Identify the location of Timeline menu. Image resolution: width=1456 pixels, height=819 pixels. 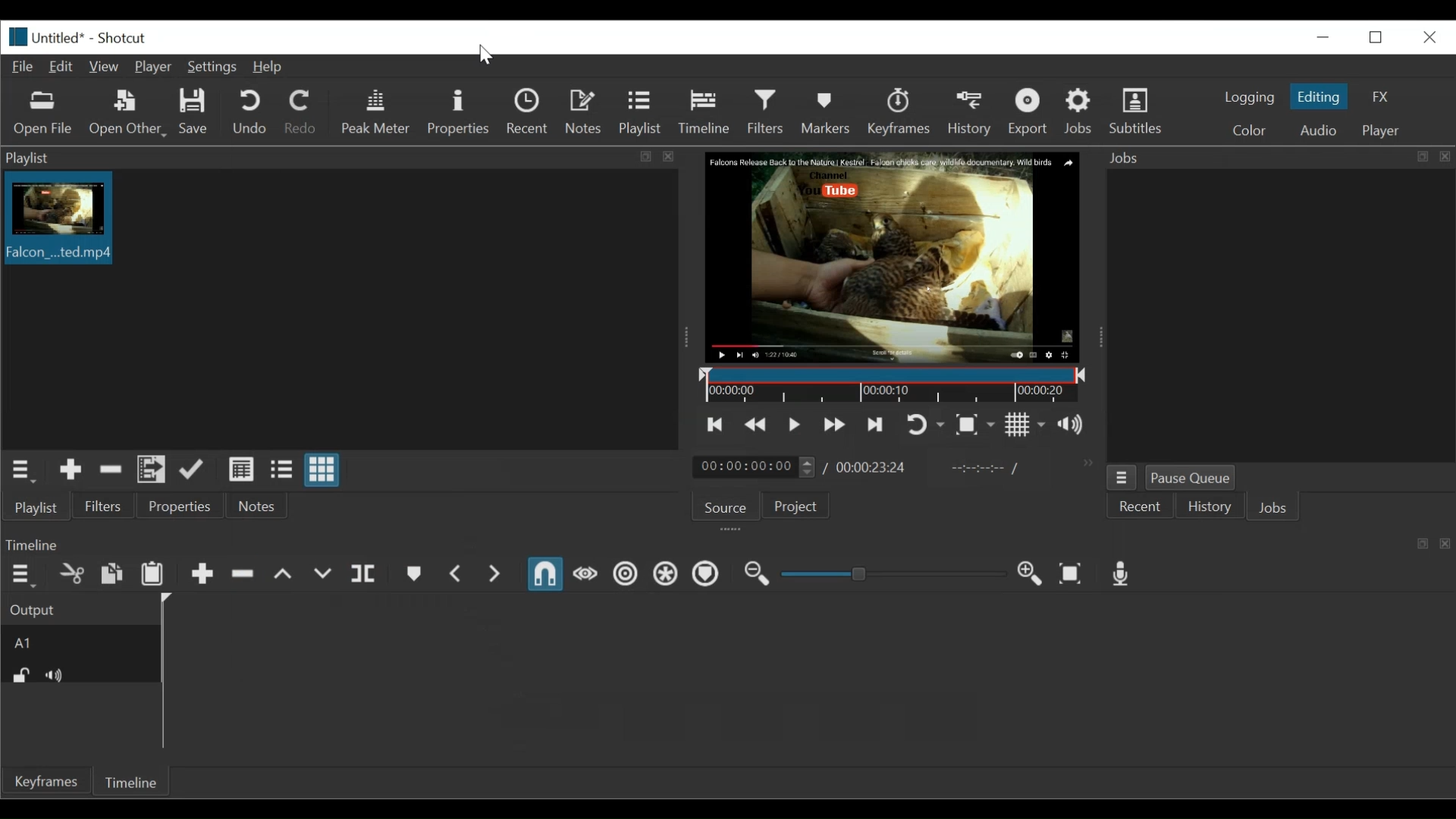
(21, 574).